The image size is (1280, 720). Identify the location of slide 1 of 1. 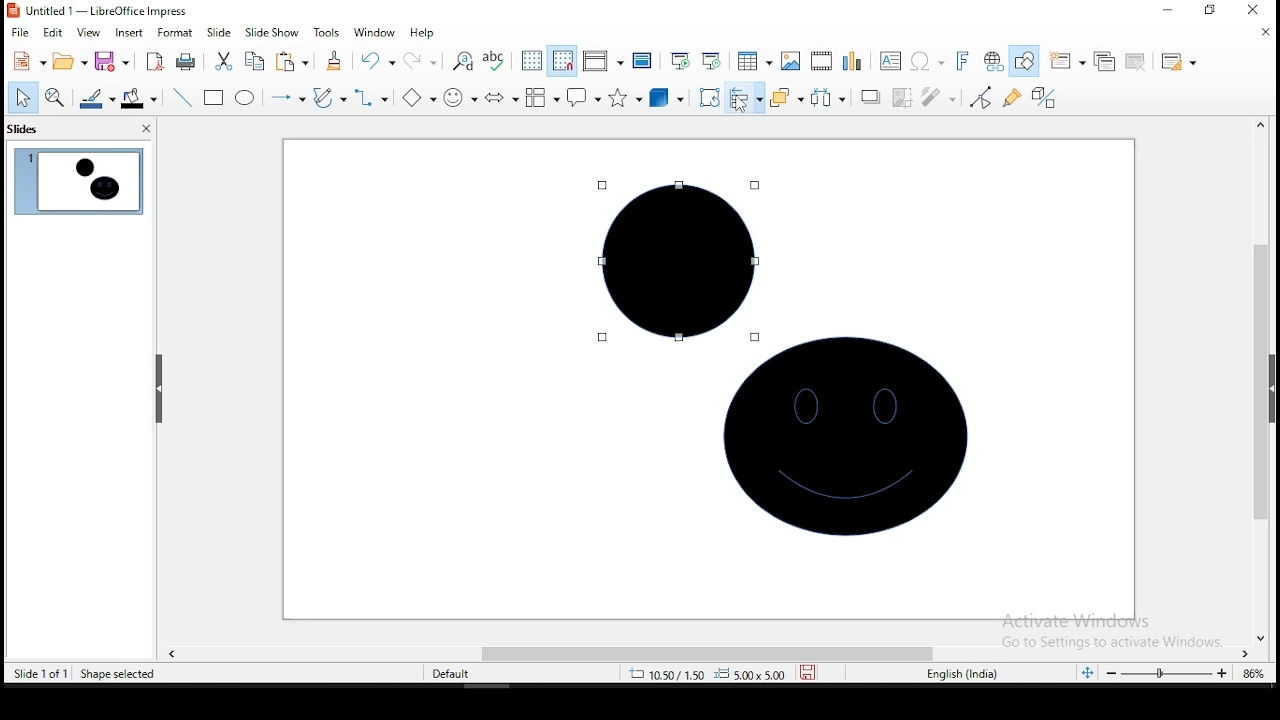
(42, 673).